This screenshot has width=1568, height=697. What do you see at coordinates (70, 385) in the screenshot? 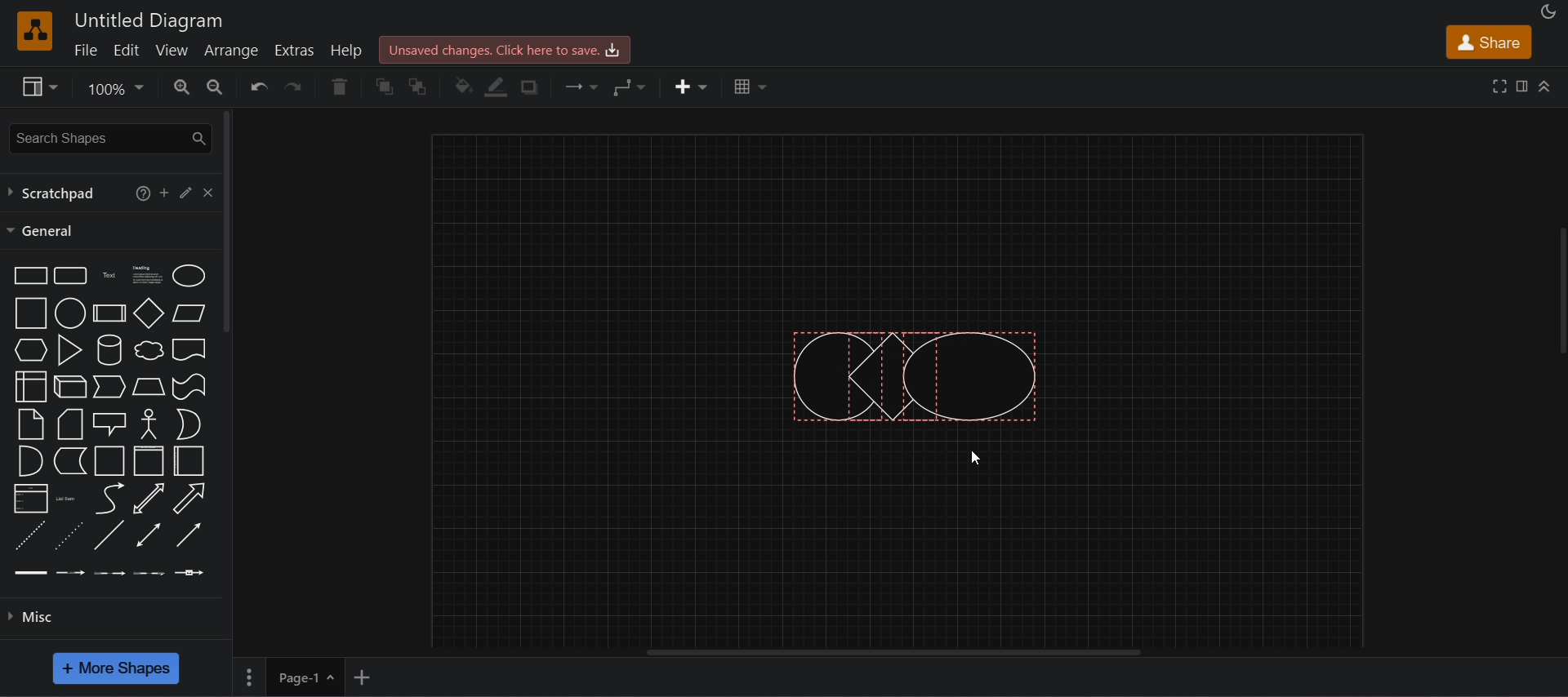
I see `cube` at bounding box center [70, 385].